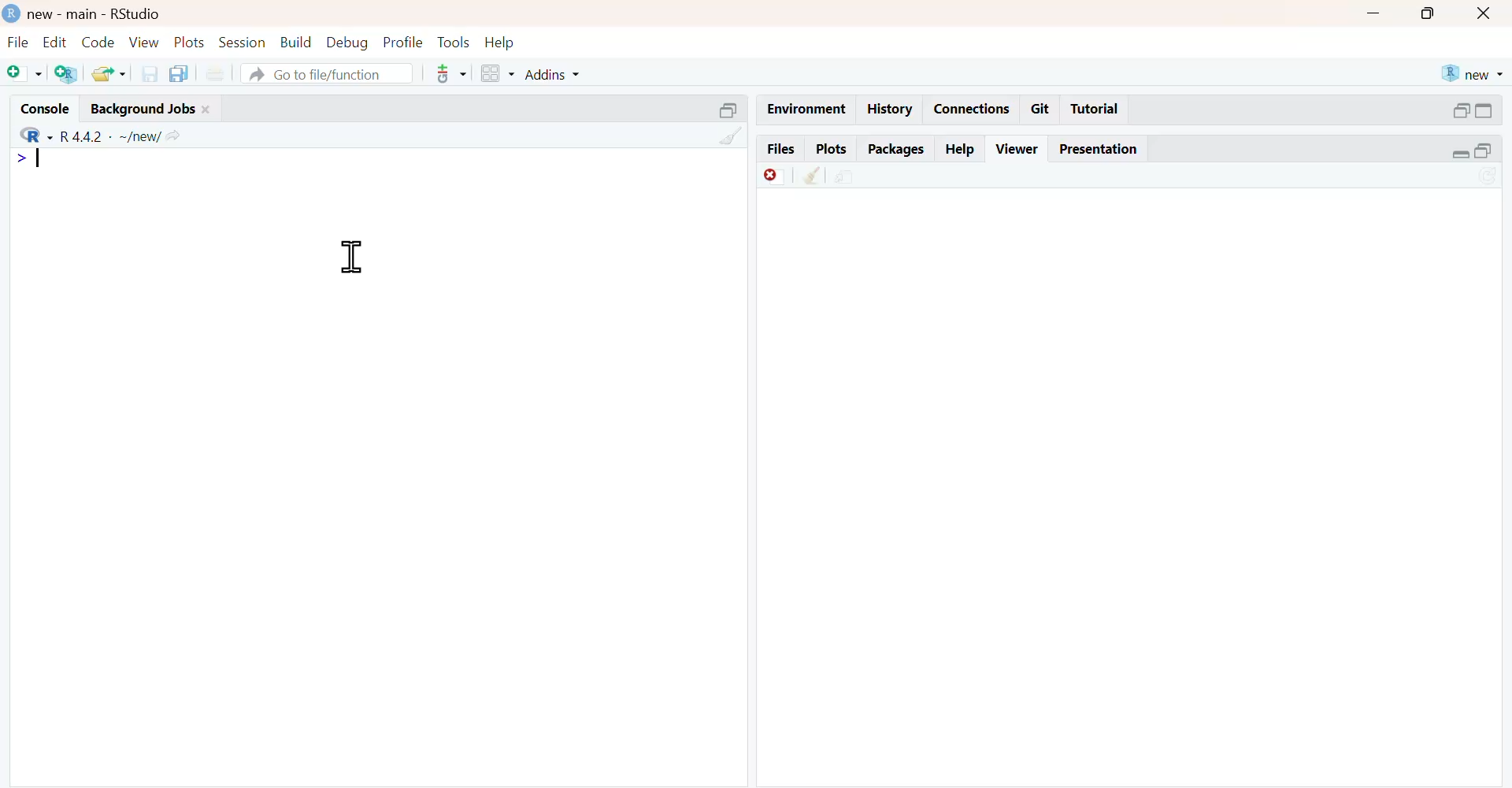 The height and width of the screenshot is (788, 1512). What do you see at coordinates (46, 109) in the screenshot?
I see `console` at bounding box center [46, 109].